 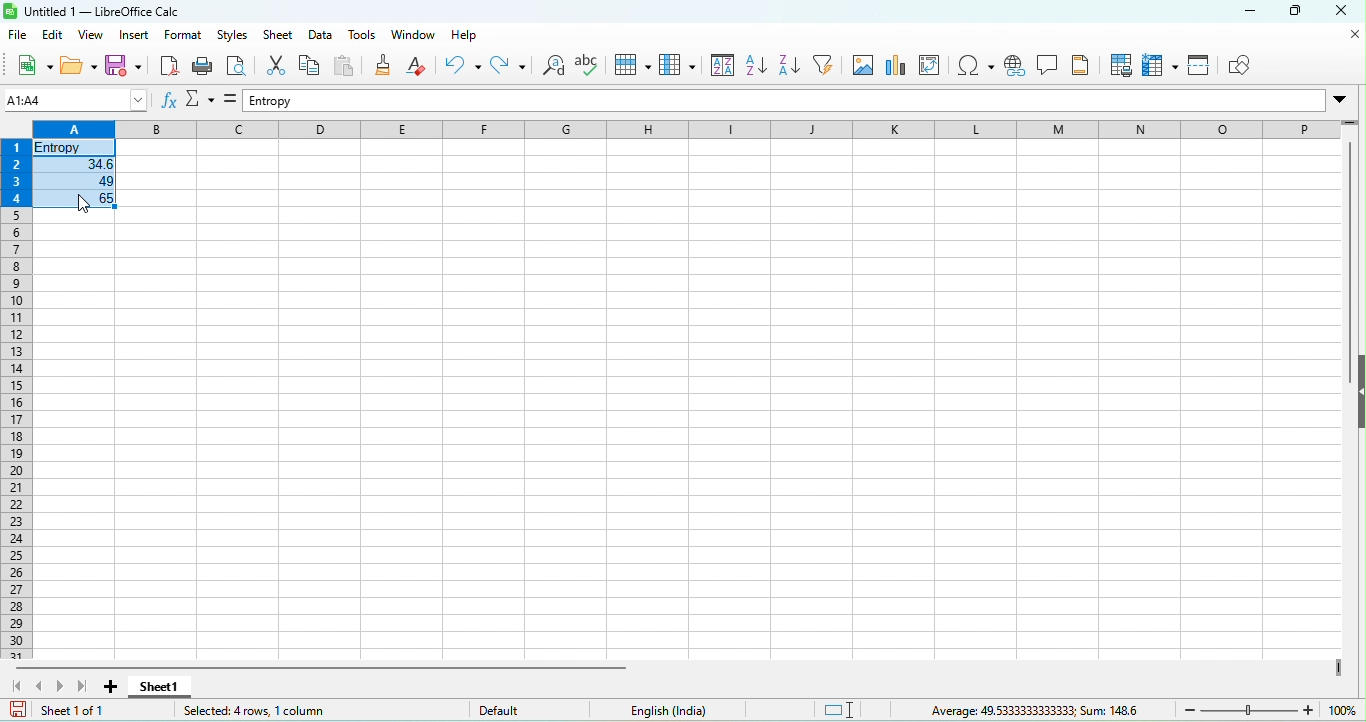 What do you see at coordinates (241, 67) in the screenshot?
I see `print preview` at bounding box center [241, 67].